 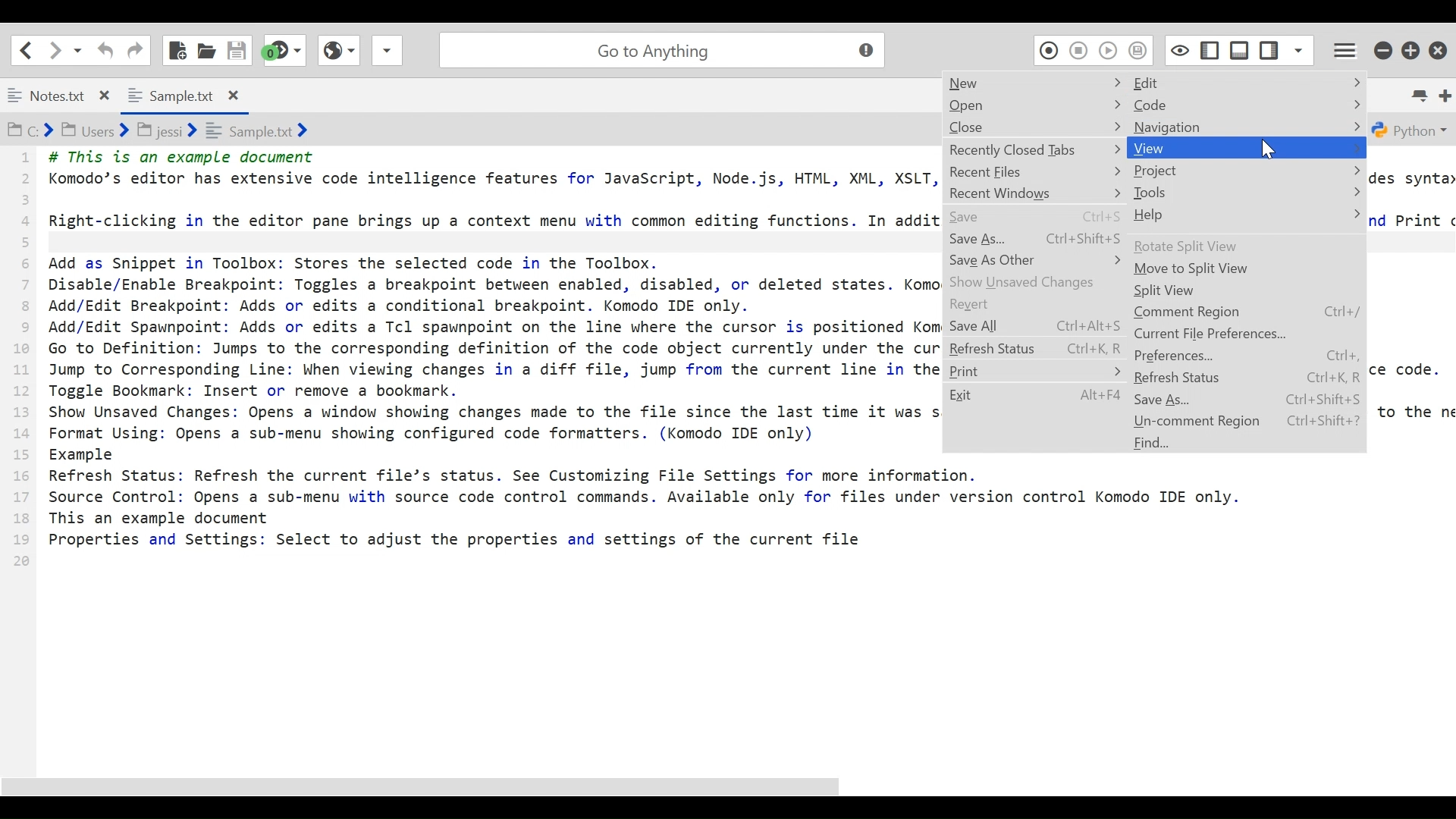 I want to click on Current File Preferences..., so click(x=1248, y=334).